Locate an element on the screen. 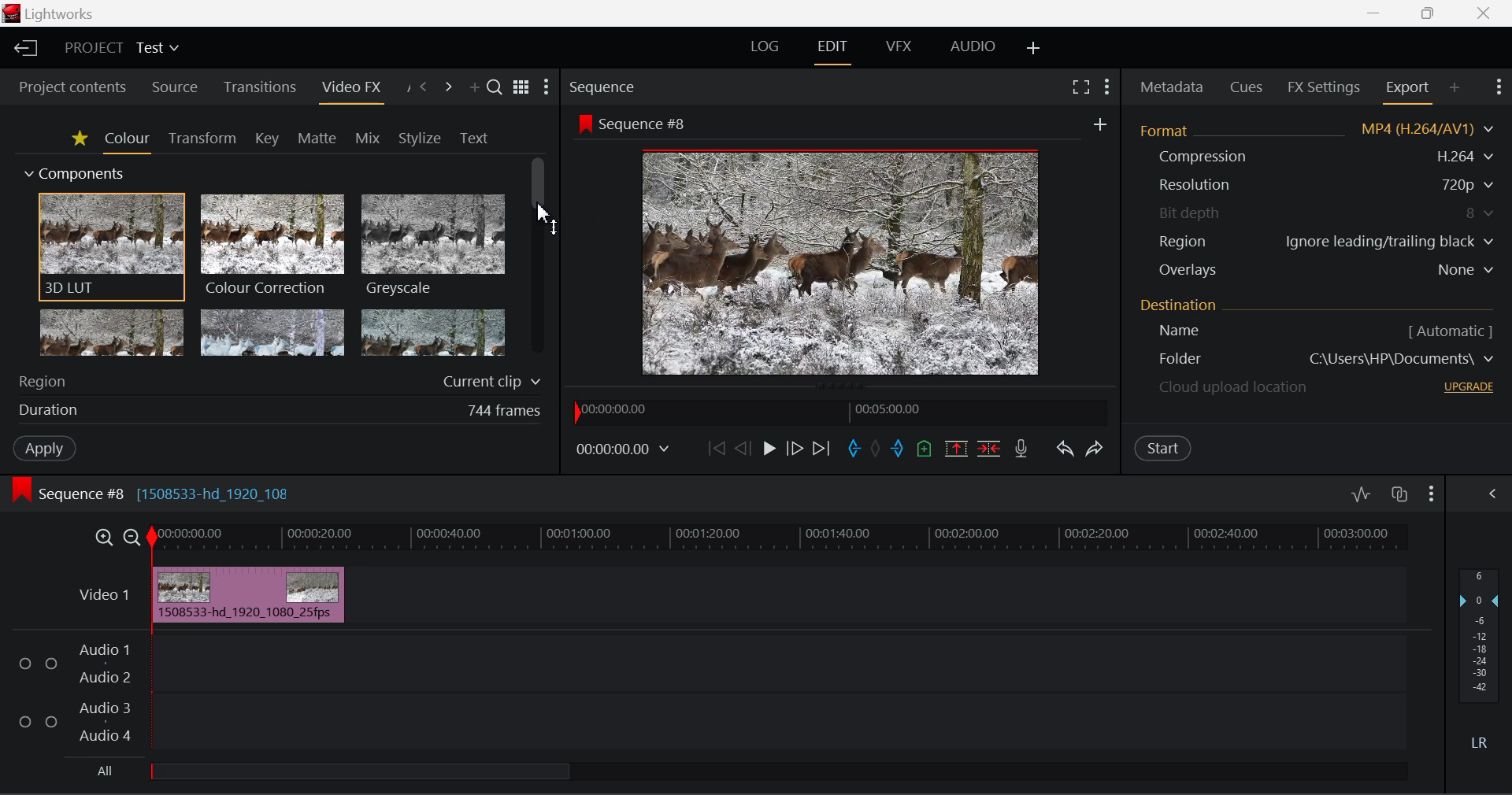  Inserted Clip is located at coordinates (246, 594).